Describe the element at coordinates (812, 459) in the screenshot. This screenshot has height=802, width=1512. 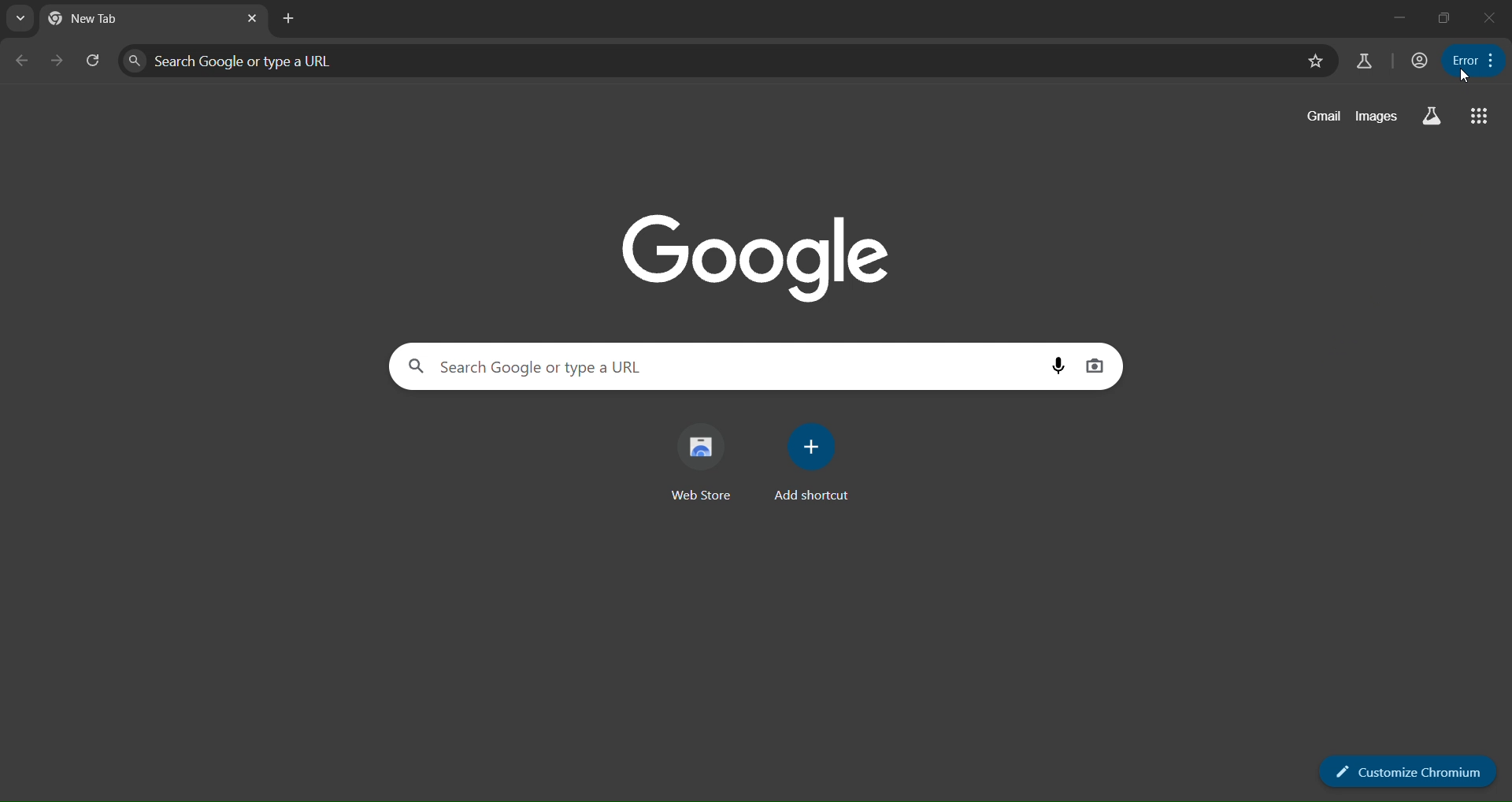
I see `add shortcut` at that location.